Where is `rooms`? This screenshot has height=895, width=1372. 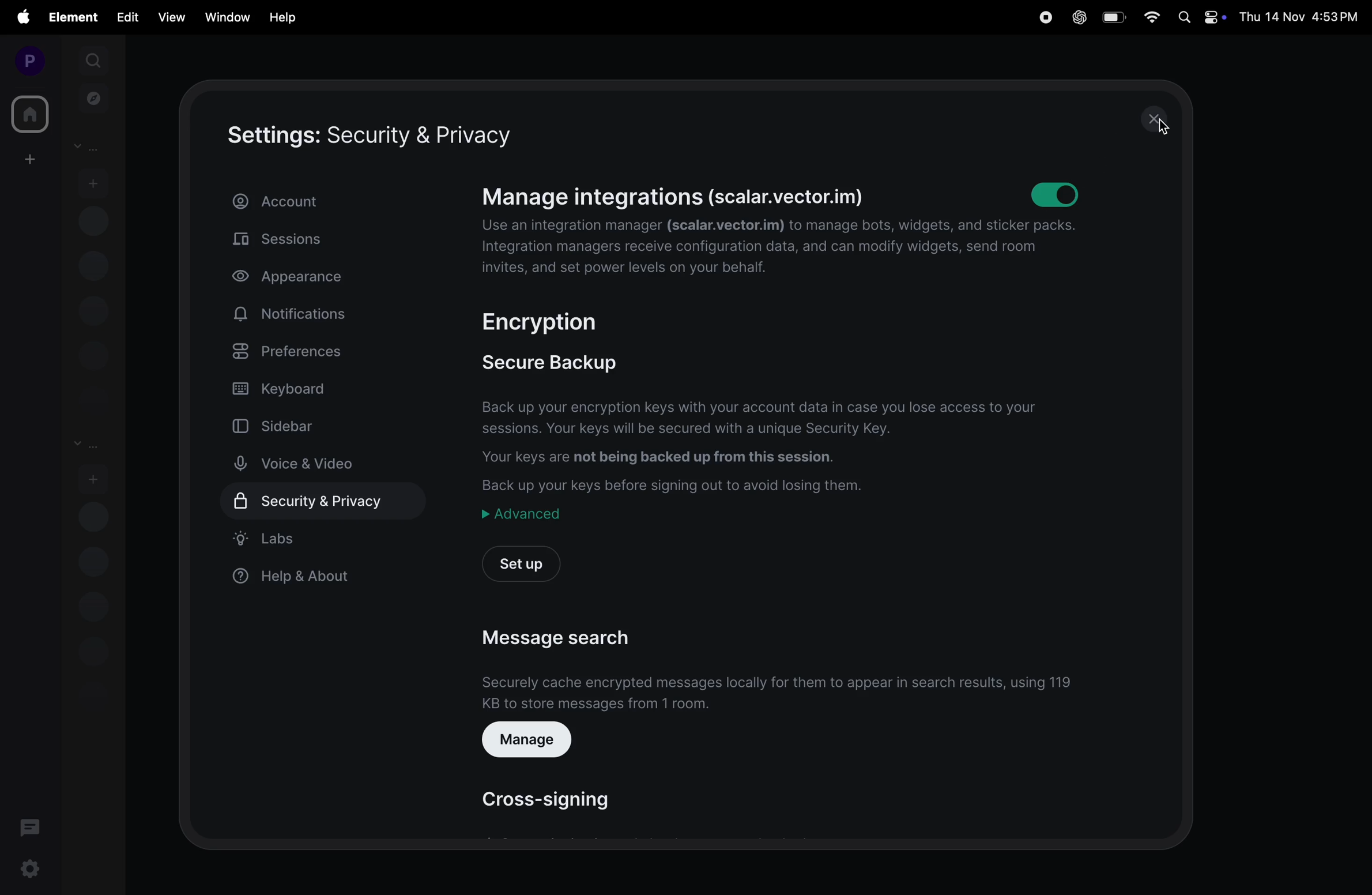 rooms is located at coordinates (86, 442).